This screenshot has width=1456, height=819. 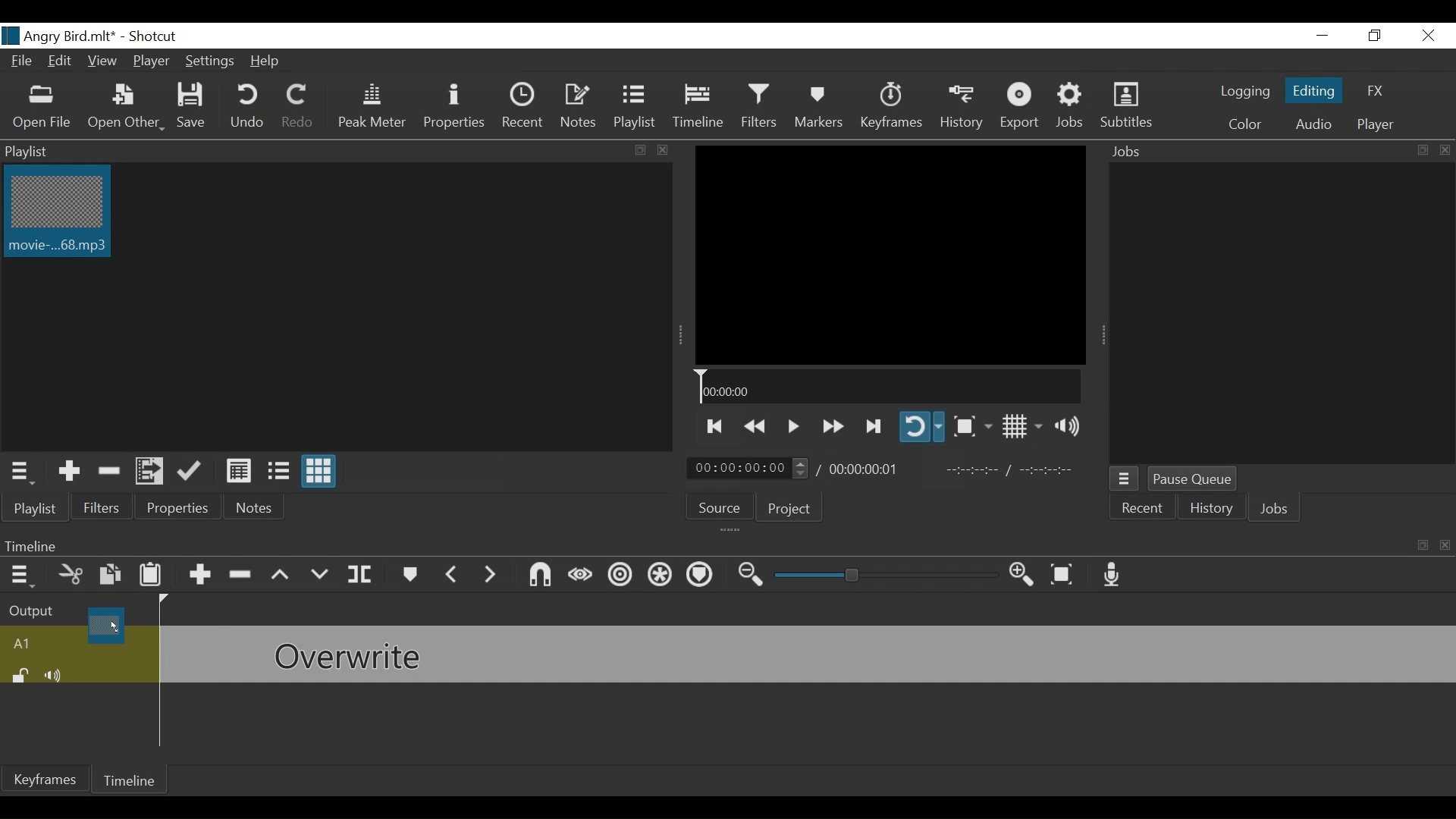 What do you see at coordinates (792, 423) in the screenshot?
I see `Toggle play or pause (space)` at bounding box center [792, 423].